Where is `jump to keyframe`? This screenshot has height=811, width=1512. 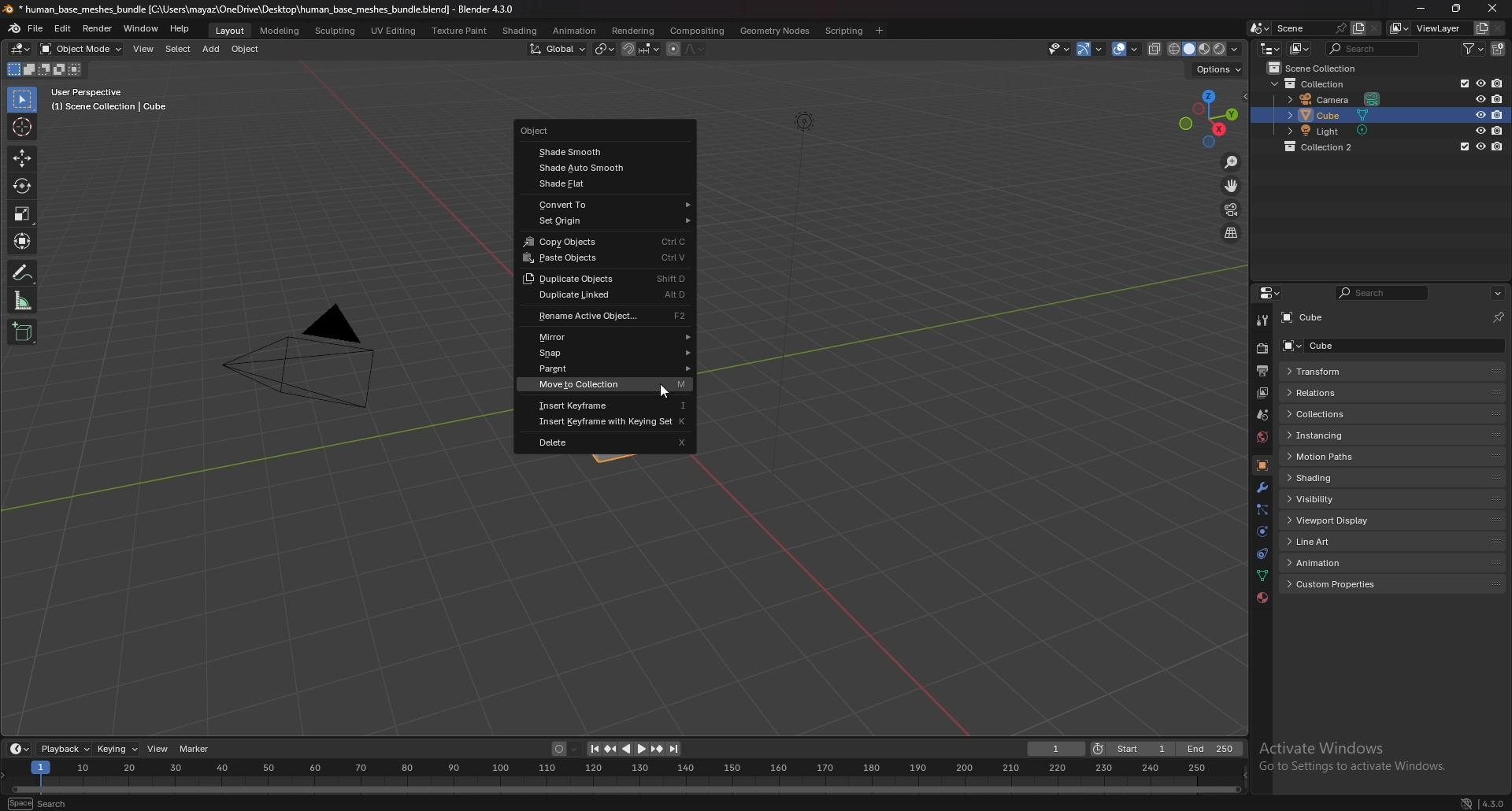 jump to keyframe is located at coordinates (610, 749).